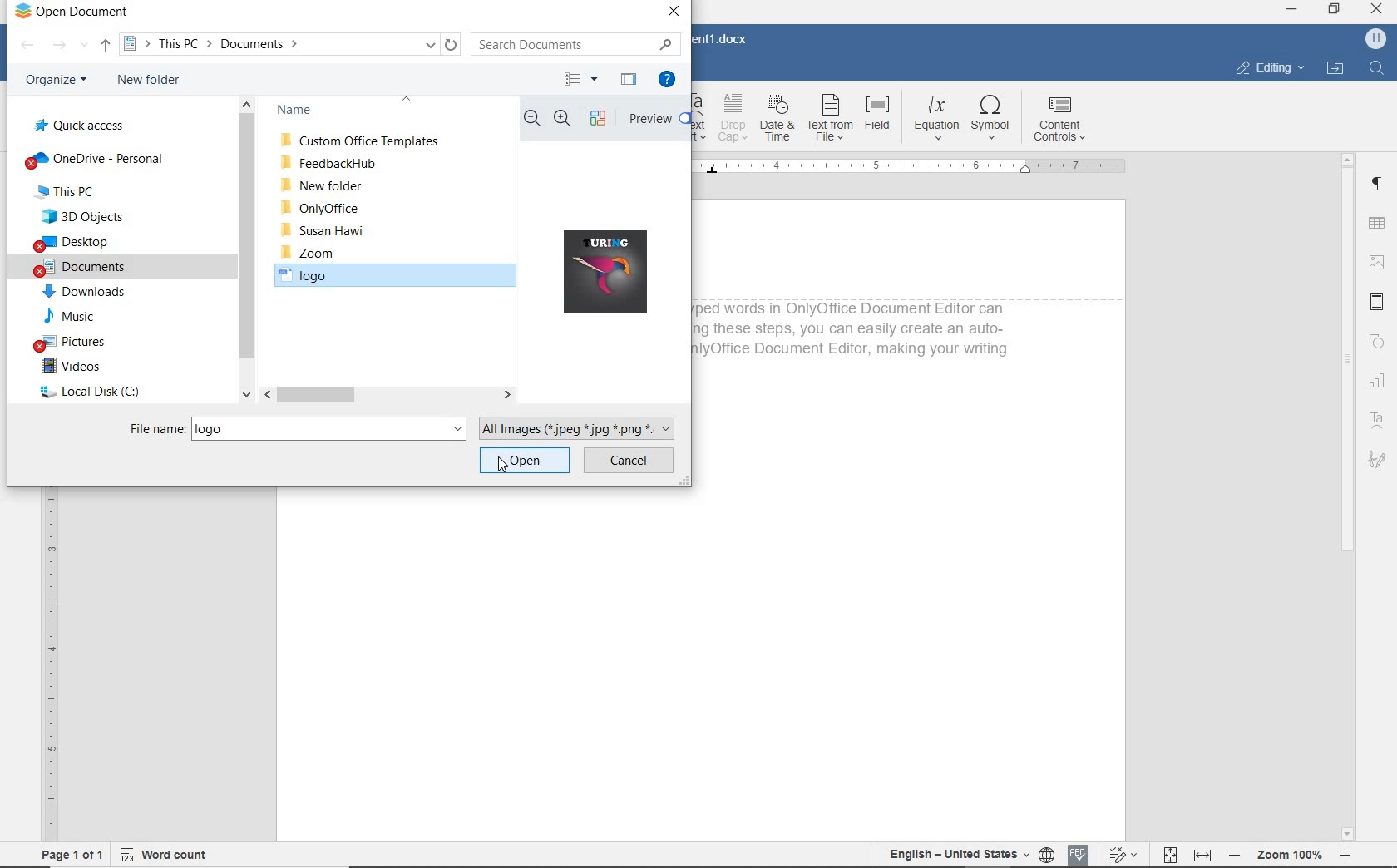  What do you see at coordinates (72, 856) in the screenshot?
I see `page 1 of 1` at bounding box center [72, 856].